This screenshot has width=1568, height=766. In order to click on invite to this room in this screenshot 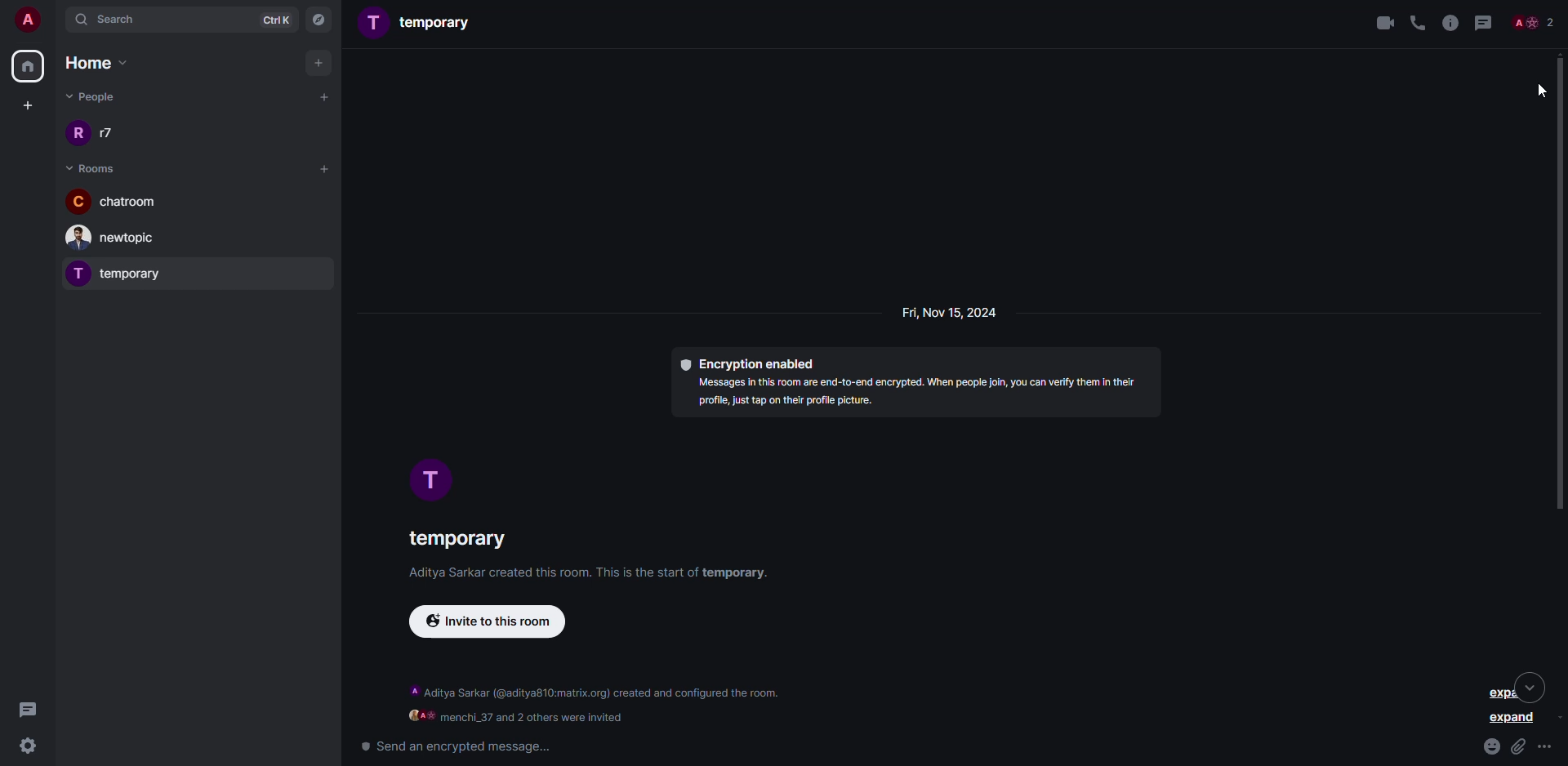, I will do `click(497, 624)`.